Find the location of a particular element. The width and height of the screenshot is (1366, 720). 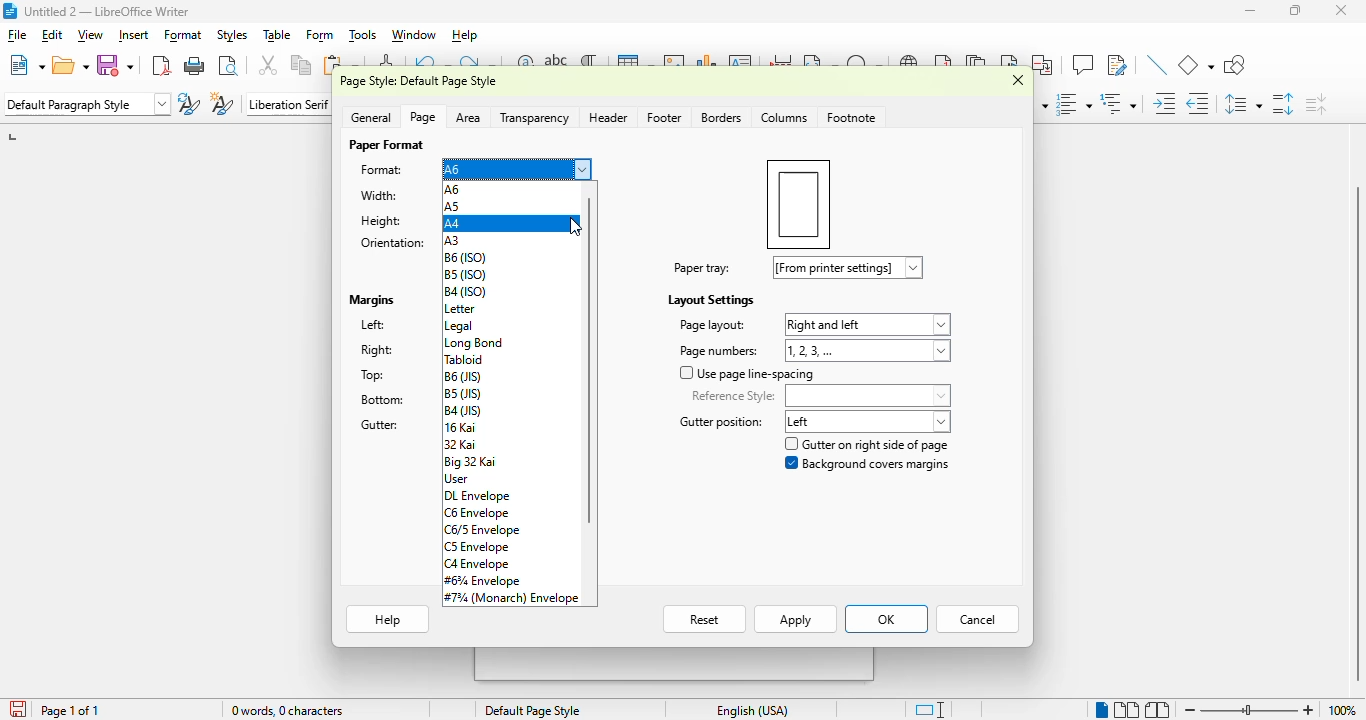

insert cross-reference is located at coordinates (1041, 65).